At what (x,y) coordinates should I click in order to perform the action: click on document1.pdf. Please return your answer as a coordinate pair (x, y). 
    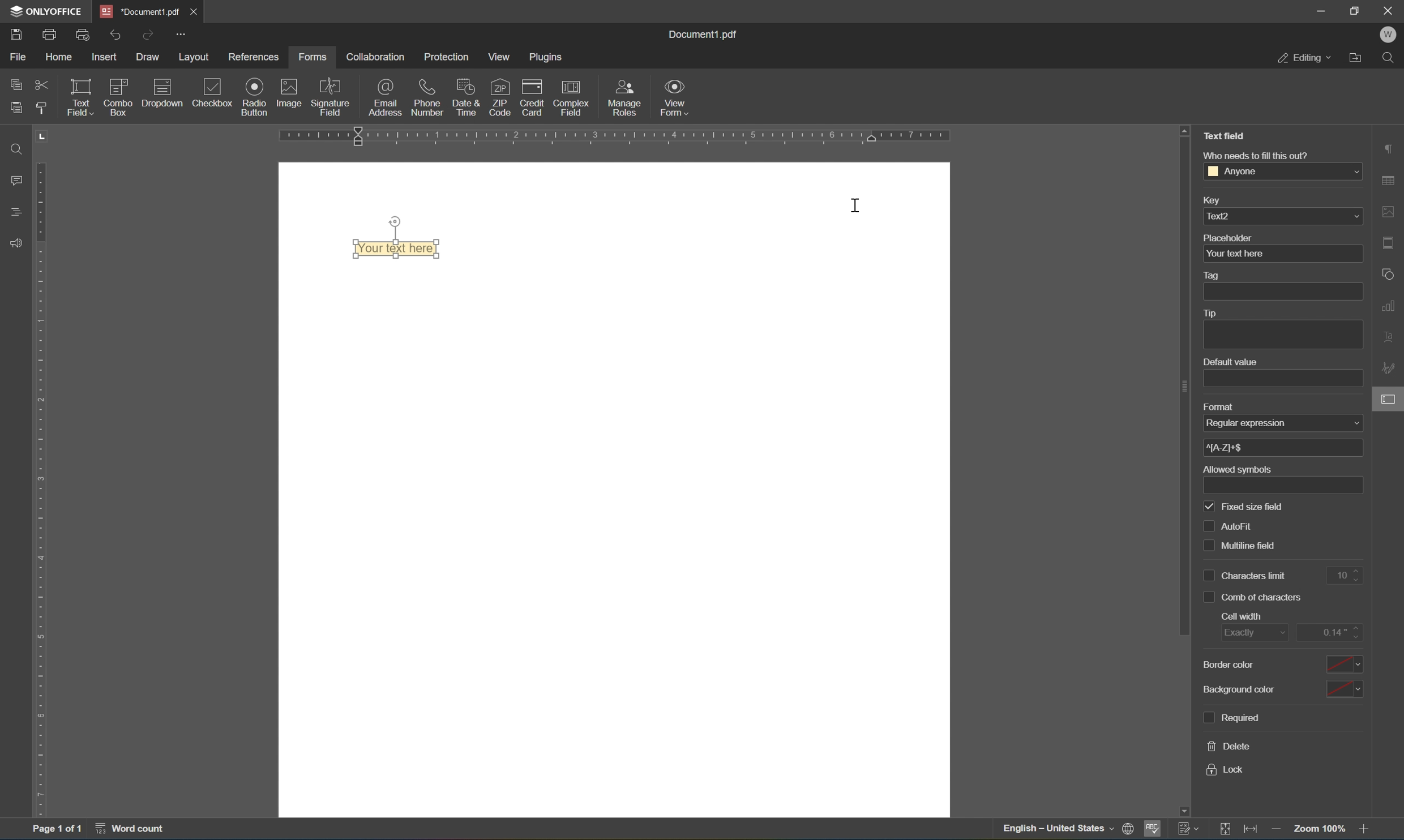
    Looking at the image, I should click on (707, 34).